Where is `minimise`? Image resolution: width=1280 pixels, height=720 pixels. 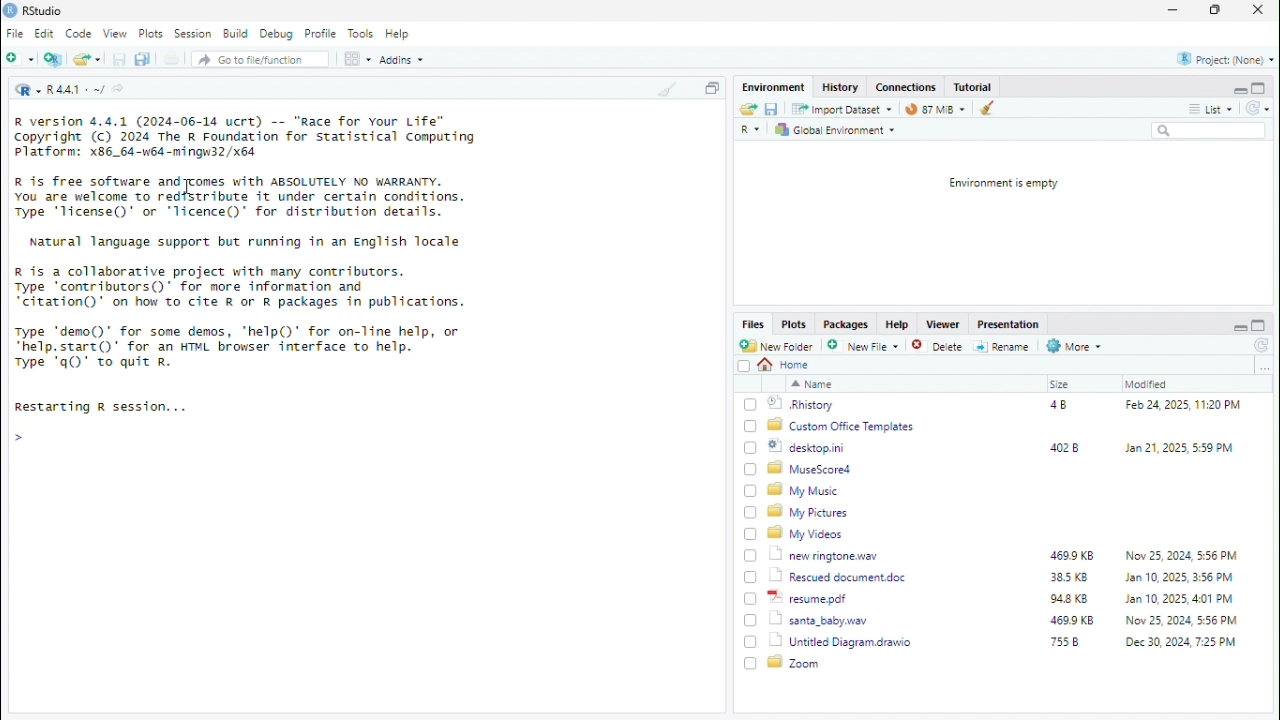
minimise is located at coordinates (1239, 90).